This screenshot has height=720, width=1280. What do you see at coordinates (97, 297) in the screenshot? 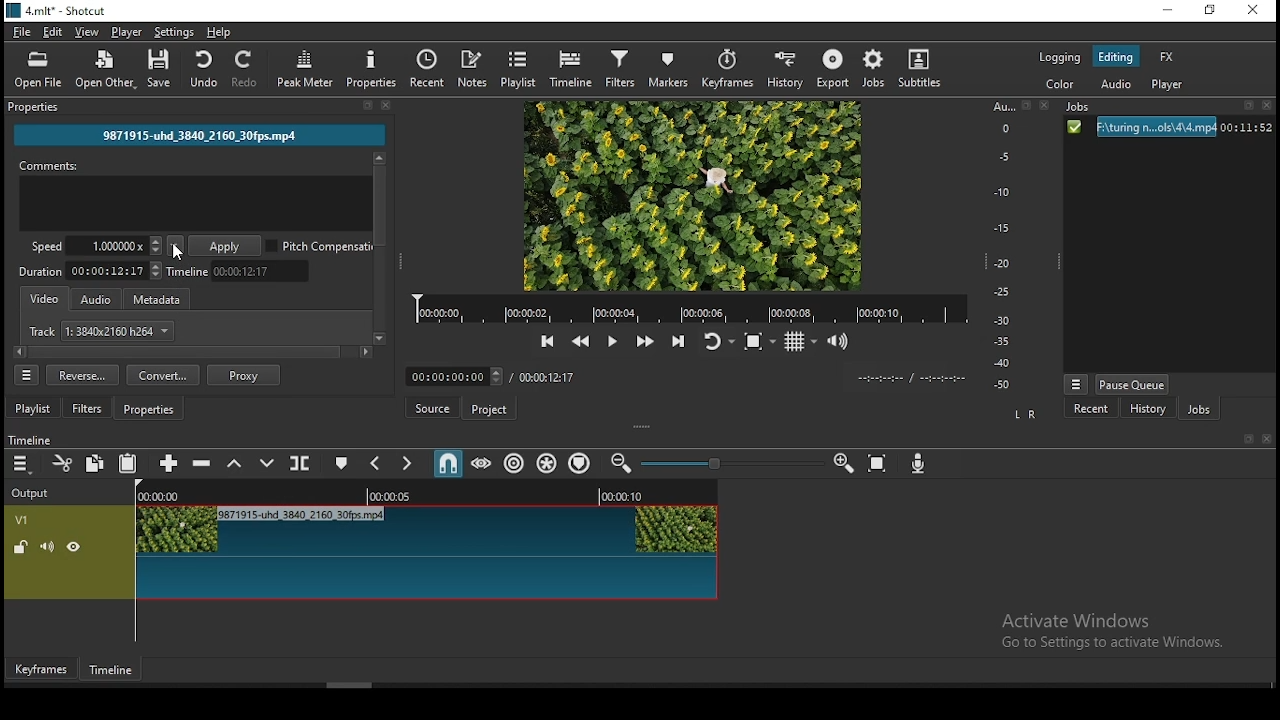
I see `audio` at bounding box center [97, 297].